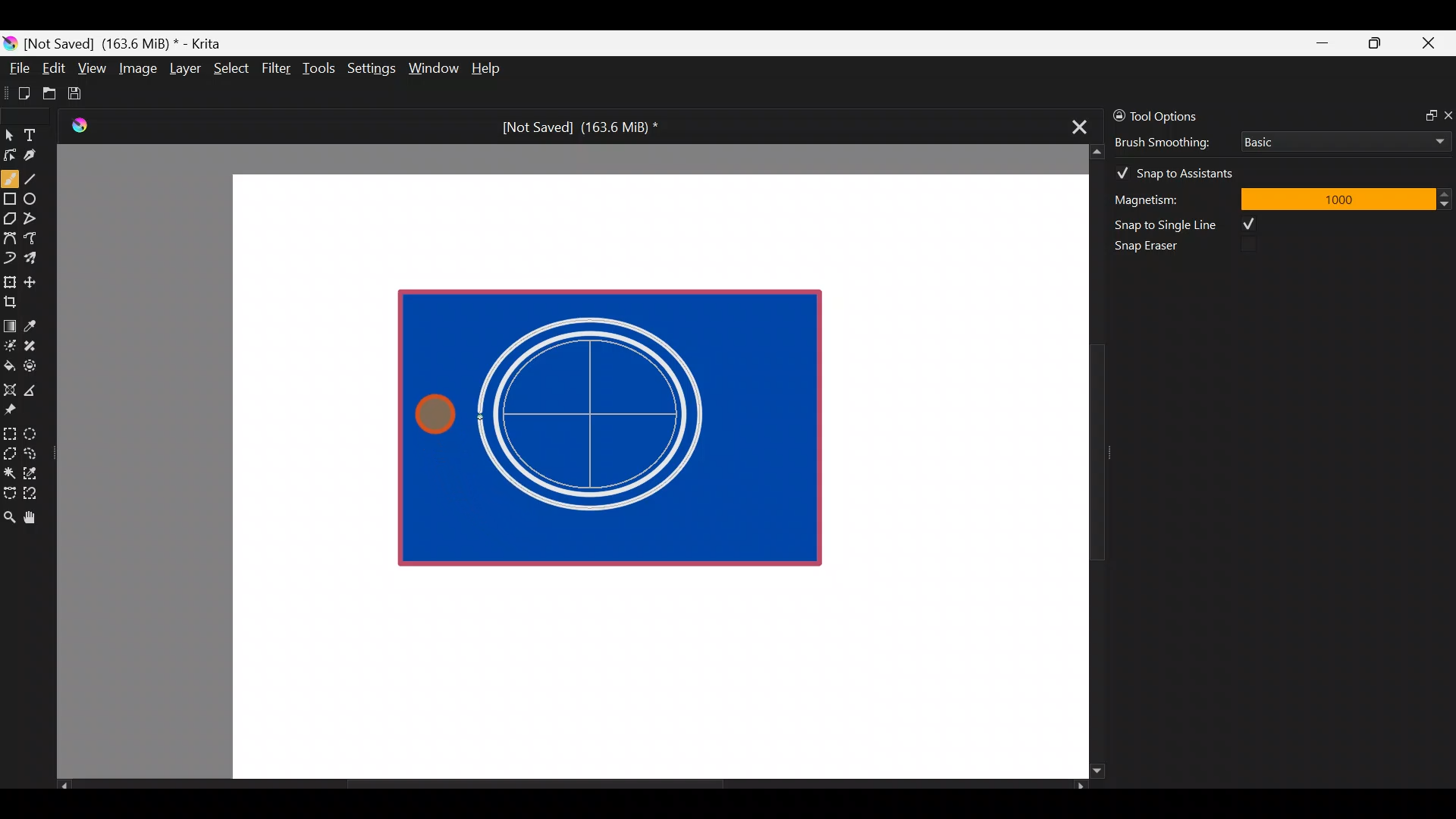 This screenshot has height=819, width=1456. What do you see at coordinates (1182, 170) in the screenshot?
I see `Snap to assistants` at bounding box center [1182, 170].